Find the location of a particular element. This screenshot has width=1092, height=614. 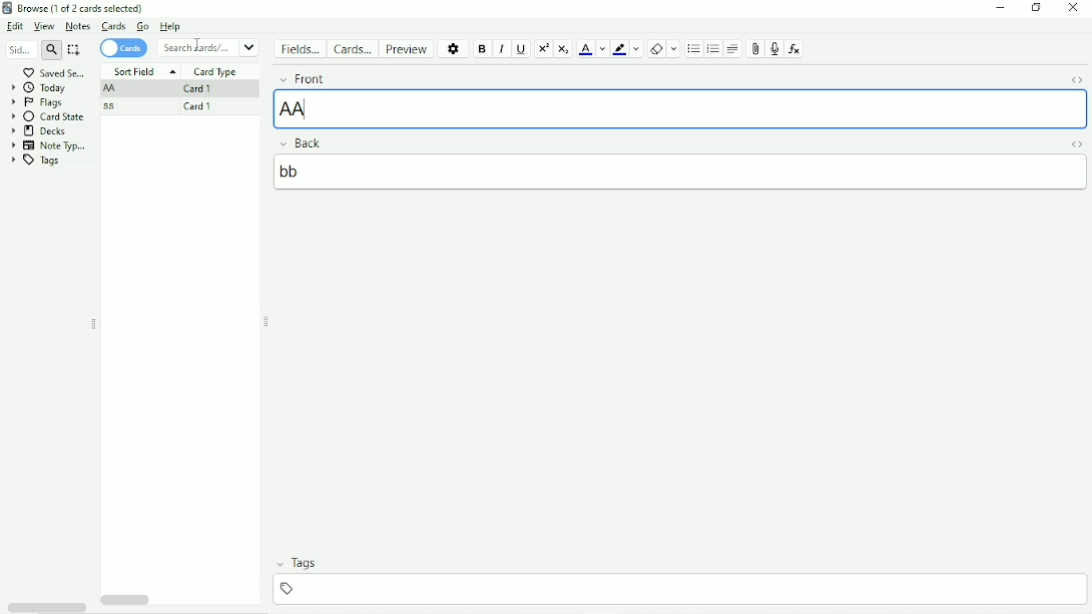

Edit is located at coordinates (16, 27).